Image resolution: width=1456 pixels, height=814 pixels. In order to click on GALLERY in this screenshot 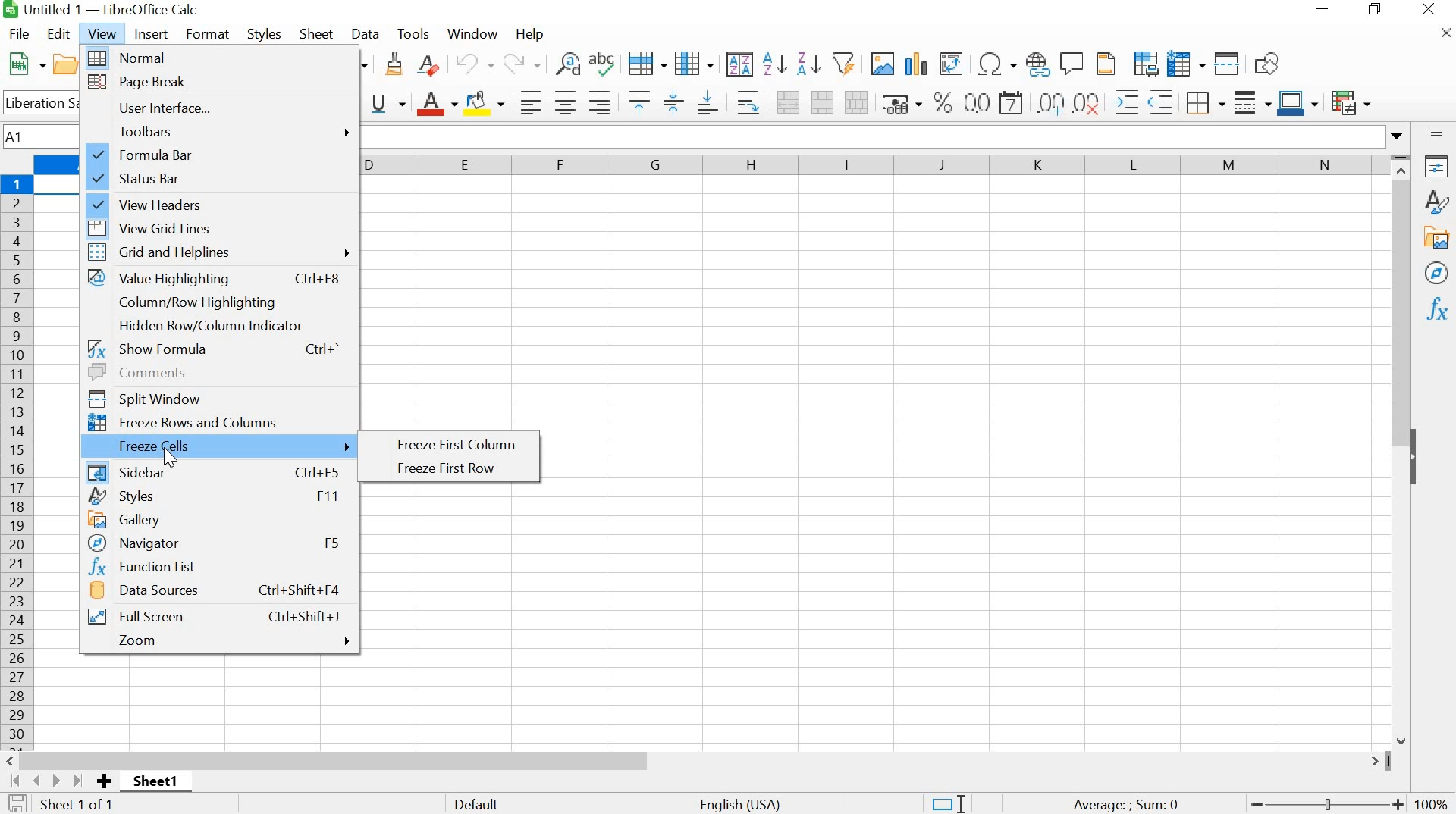, I will do `click(1437, 238)`.